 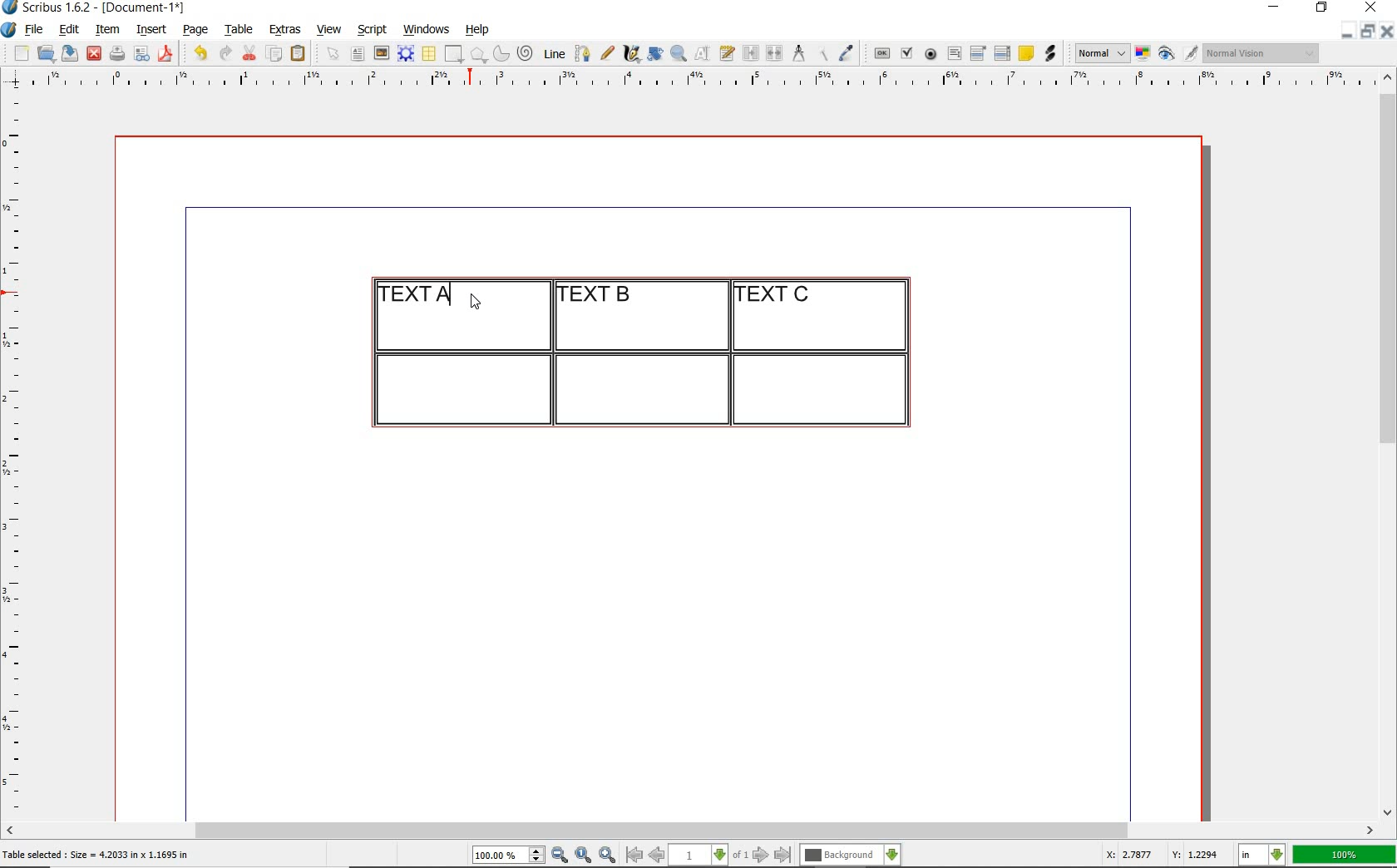 I want to click on windows, so click(x=427, y=30).